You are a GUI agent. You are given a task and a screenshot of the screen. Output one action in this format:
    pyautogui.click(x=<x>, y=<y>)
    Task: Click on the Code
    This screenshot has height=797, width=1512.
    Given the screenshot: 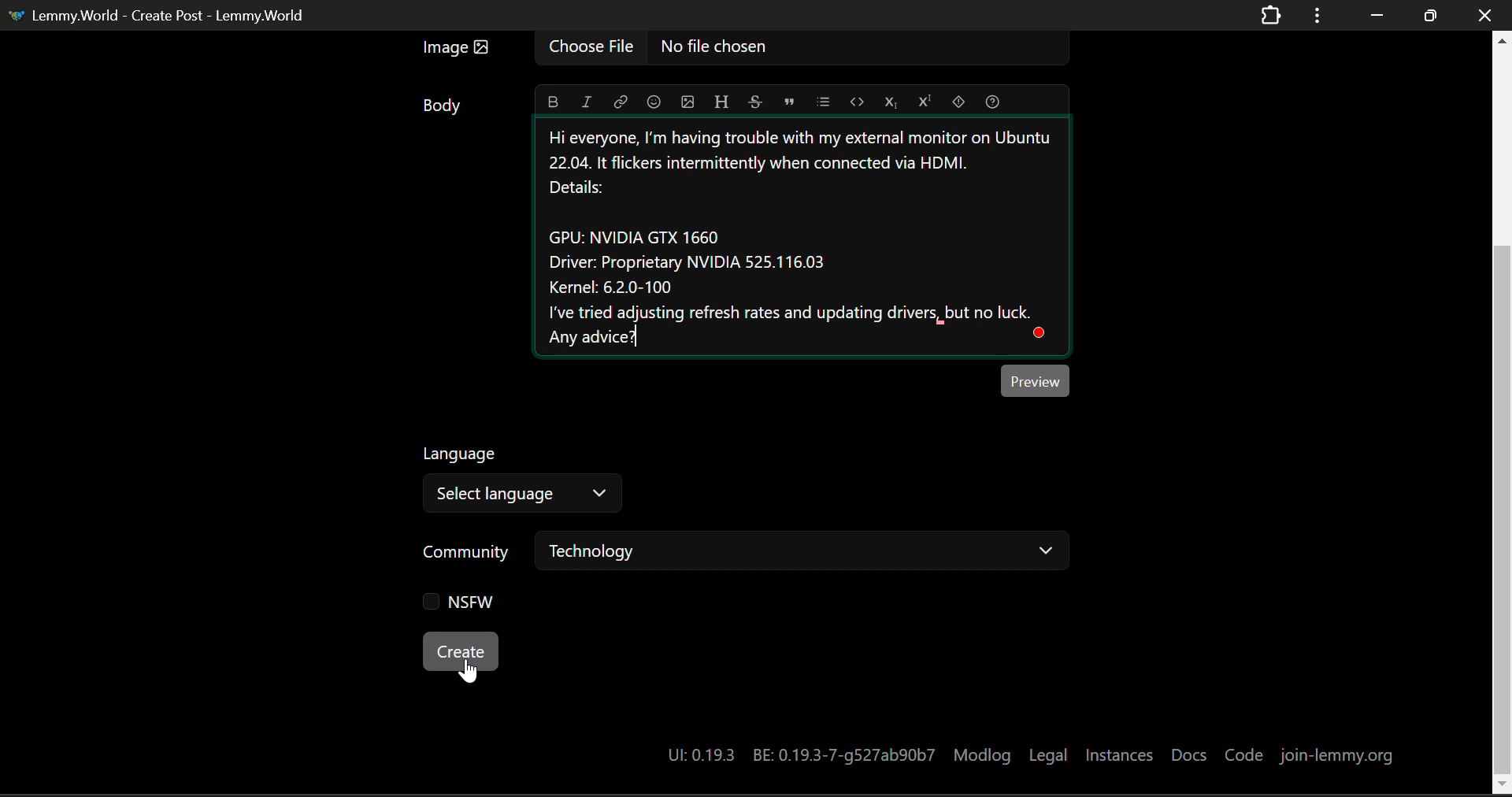 What is the action you would take?
    pyautogui.click(x=857, y=101)
    